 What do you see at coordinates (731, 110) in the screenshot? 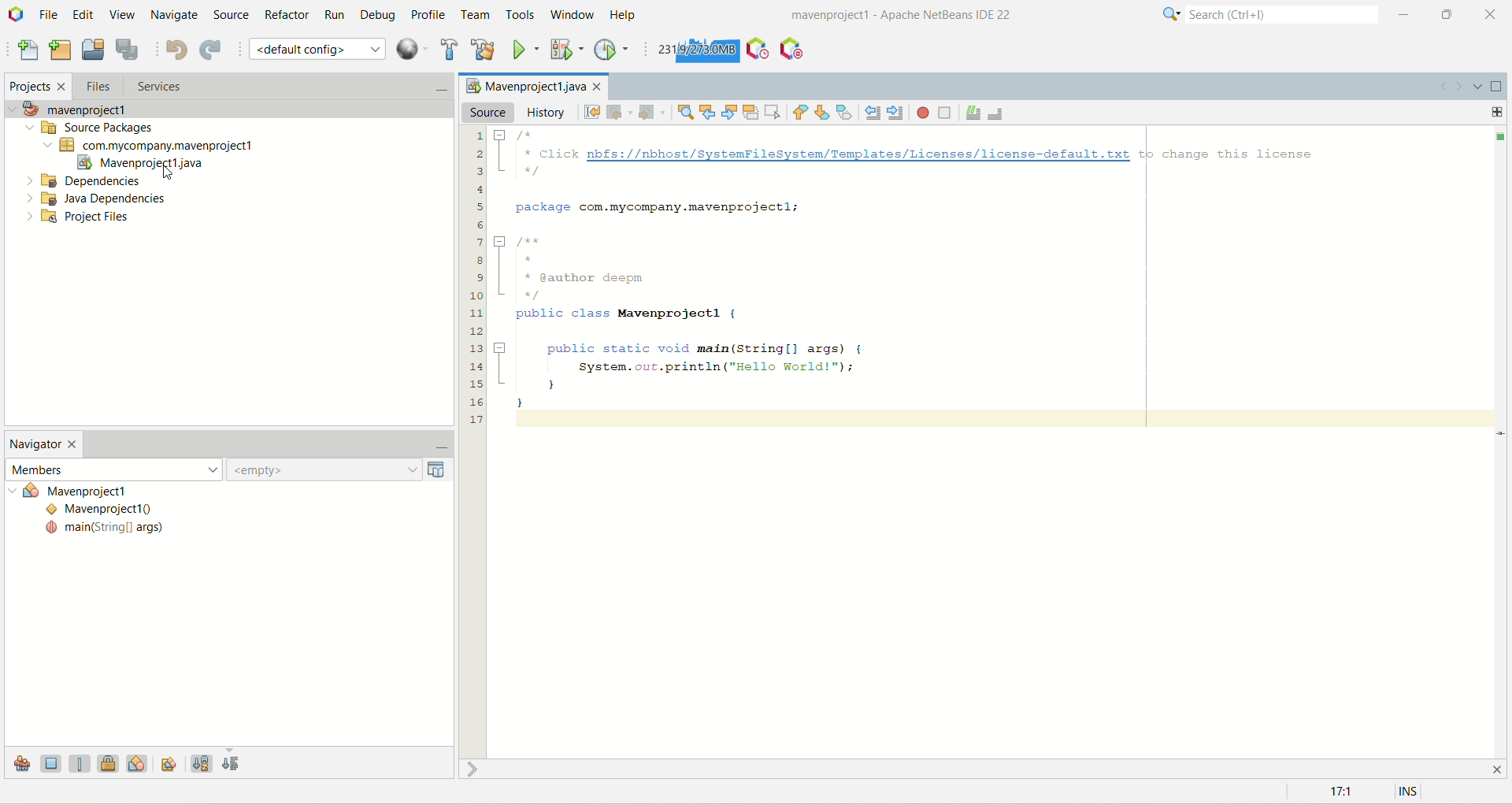
I see `find next occurrence` at bounding box center [731, 110].